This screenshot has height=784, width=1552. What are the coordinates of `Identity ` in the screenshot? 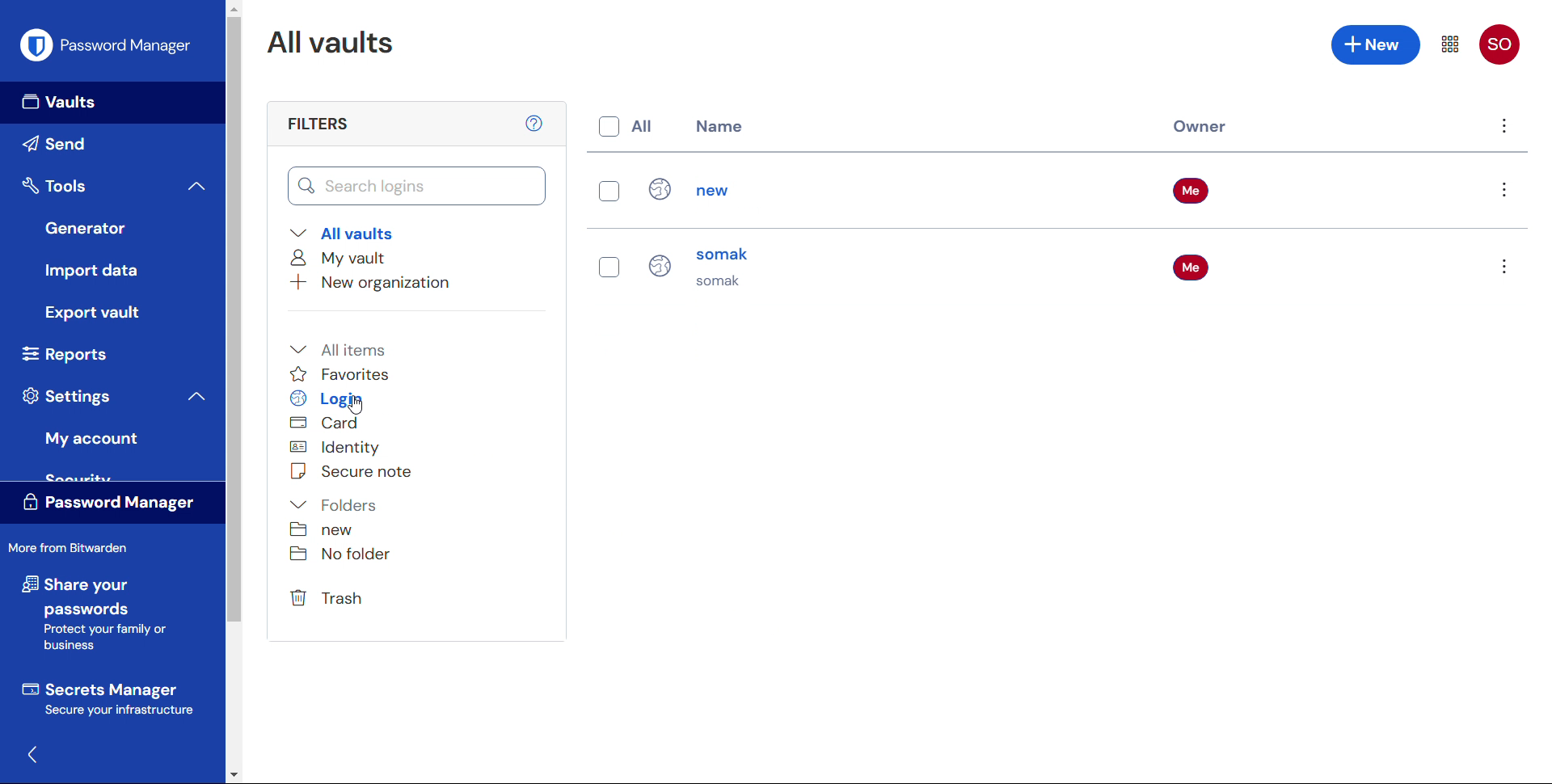 It's located at (332, 447).